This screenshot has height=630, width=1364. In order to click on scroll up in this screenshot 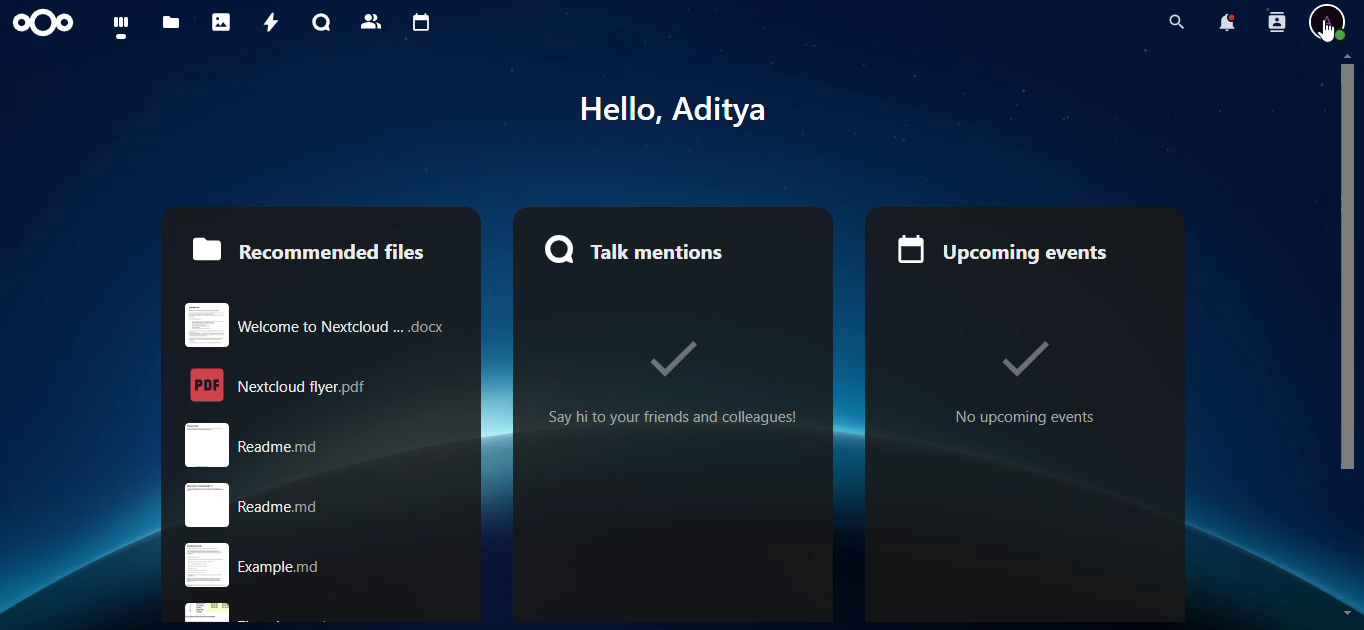, I will do `click(1346, 56)`.